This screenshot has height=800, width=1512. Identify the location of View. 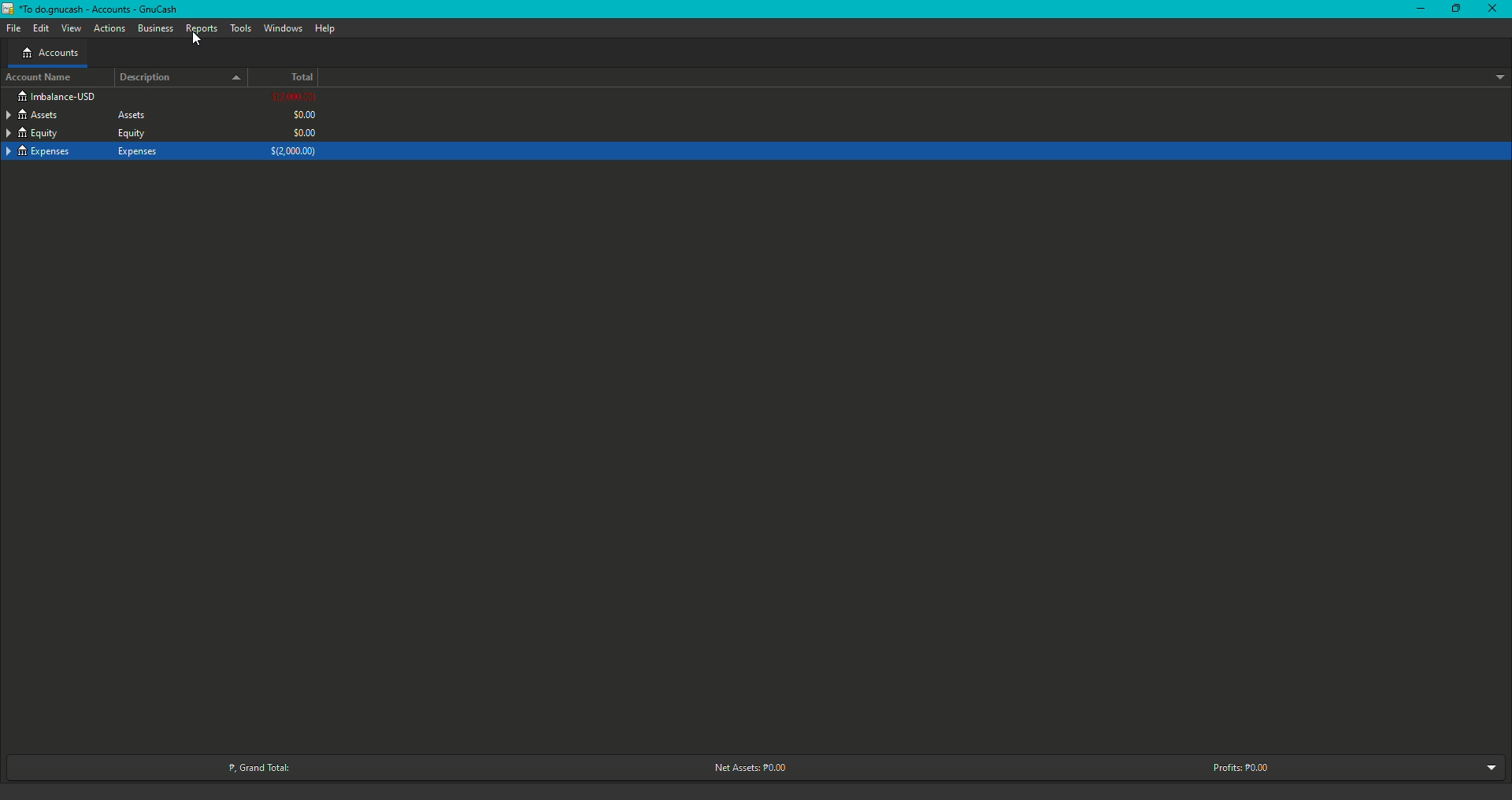
(71, 27).